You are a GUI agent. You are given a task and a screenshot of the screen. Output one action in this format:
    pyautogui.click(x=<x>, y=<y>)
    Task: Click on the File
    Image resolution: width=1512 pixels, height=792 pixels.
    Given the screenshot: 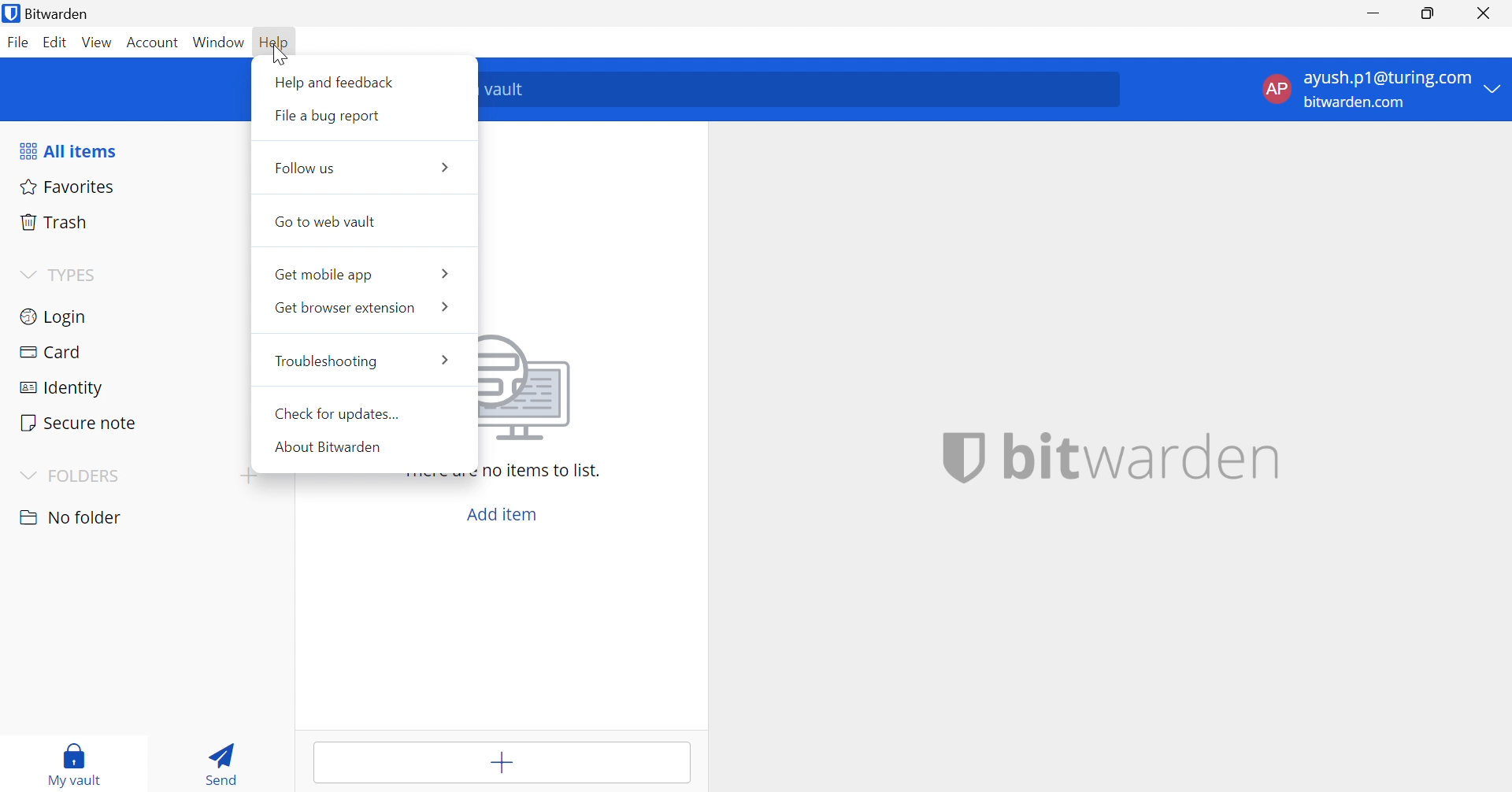 What is the action you would take?
    pyautogui.click(x=20, y=41)
    